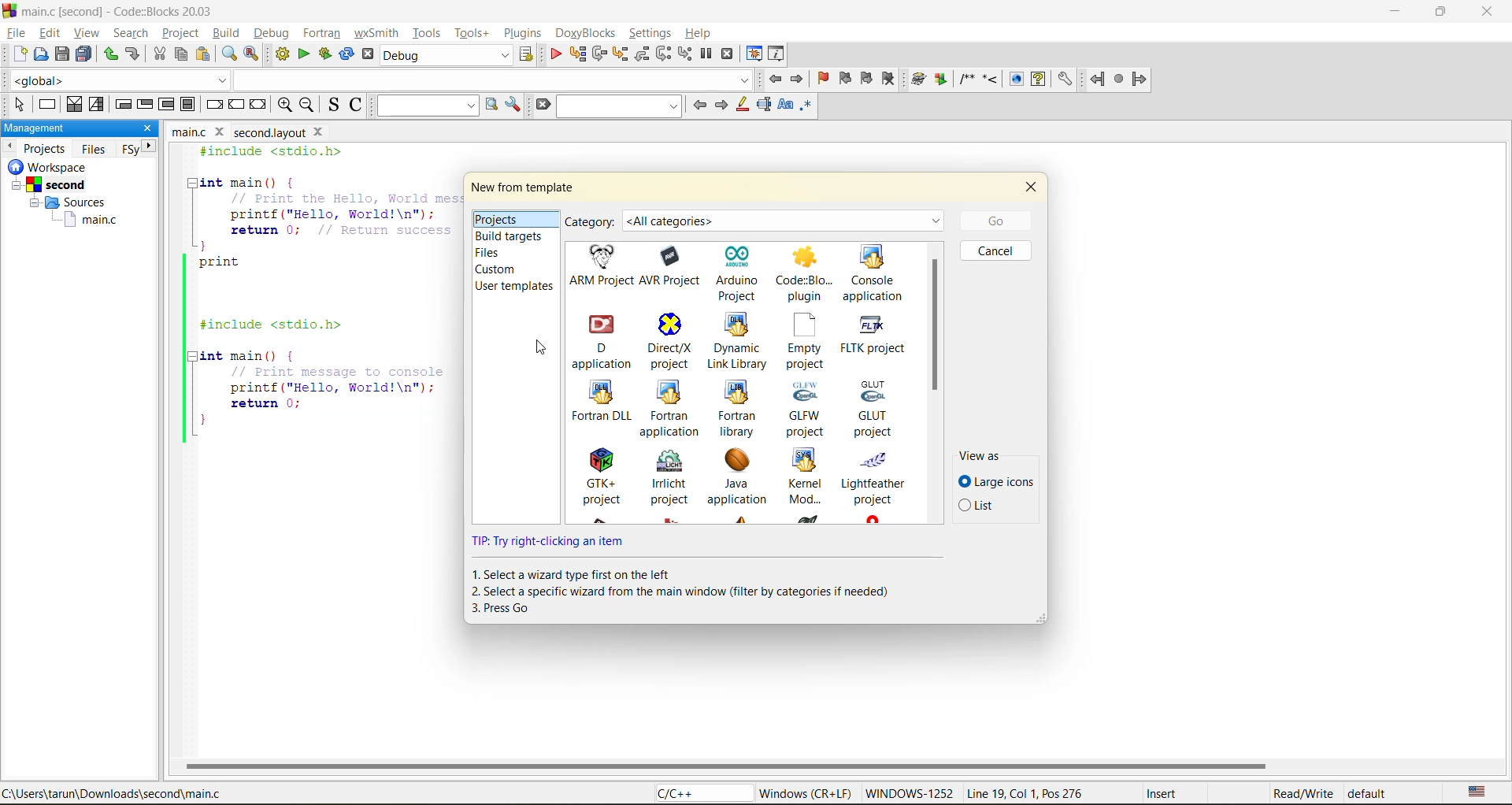 This screenshot has width=1512, height=805. I want to click on toggle bookmark, so click(823, 78).